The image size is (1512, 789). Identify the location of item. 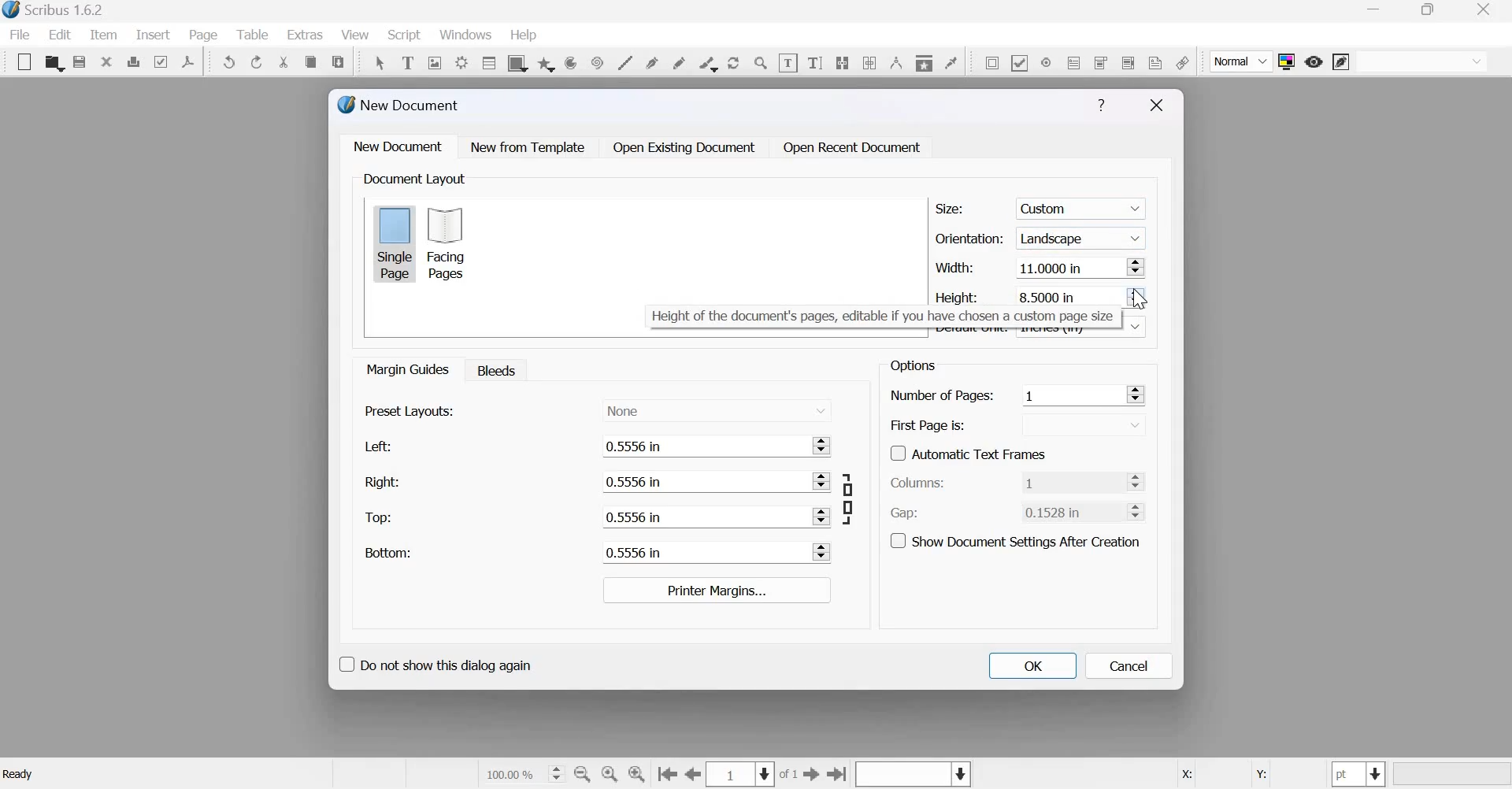
(102, 35).